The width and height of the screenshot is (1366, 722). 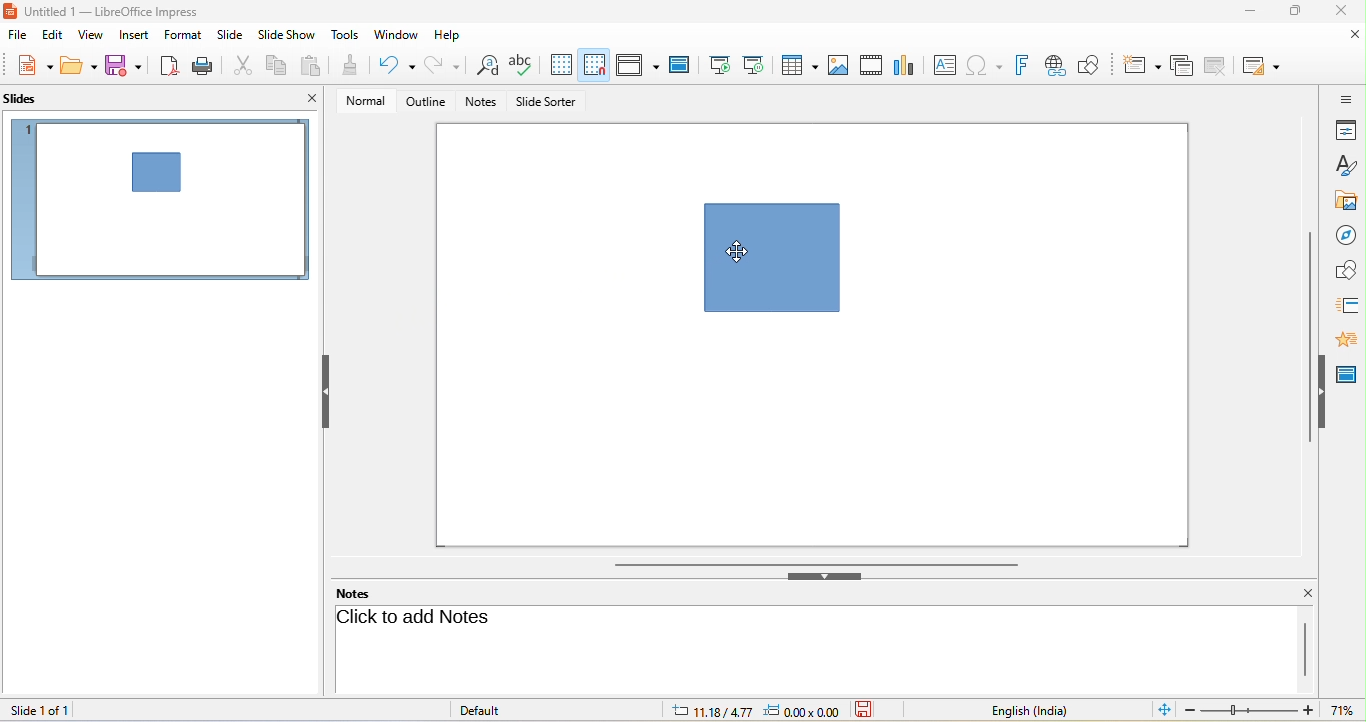 What do you see at coordinates (1346, 269) in the screenshot?
I see `shapes` at bounding box center [1346, 269].